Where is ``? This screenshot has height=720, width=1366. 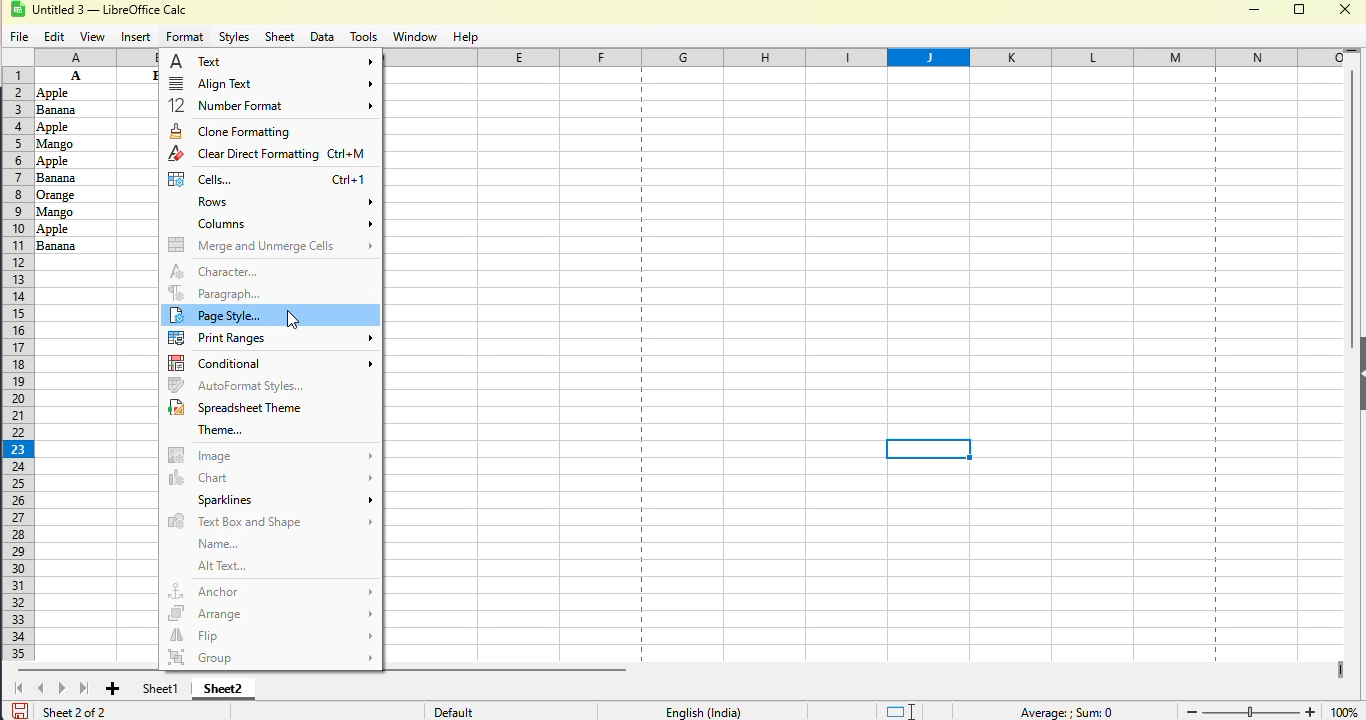
 is located at coordinates (73, 142).